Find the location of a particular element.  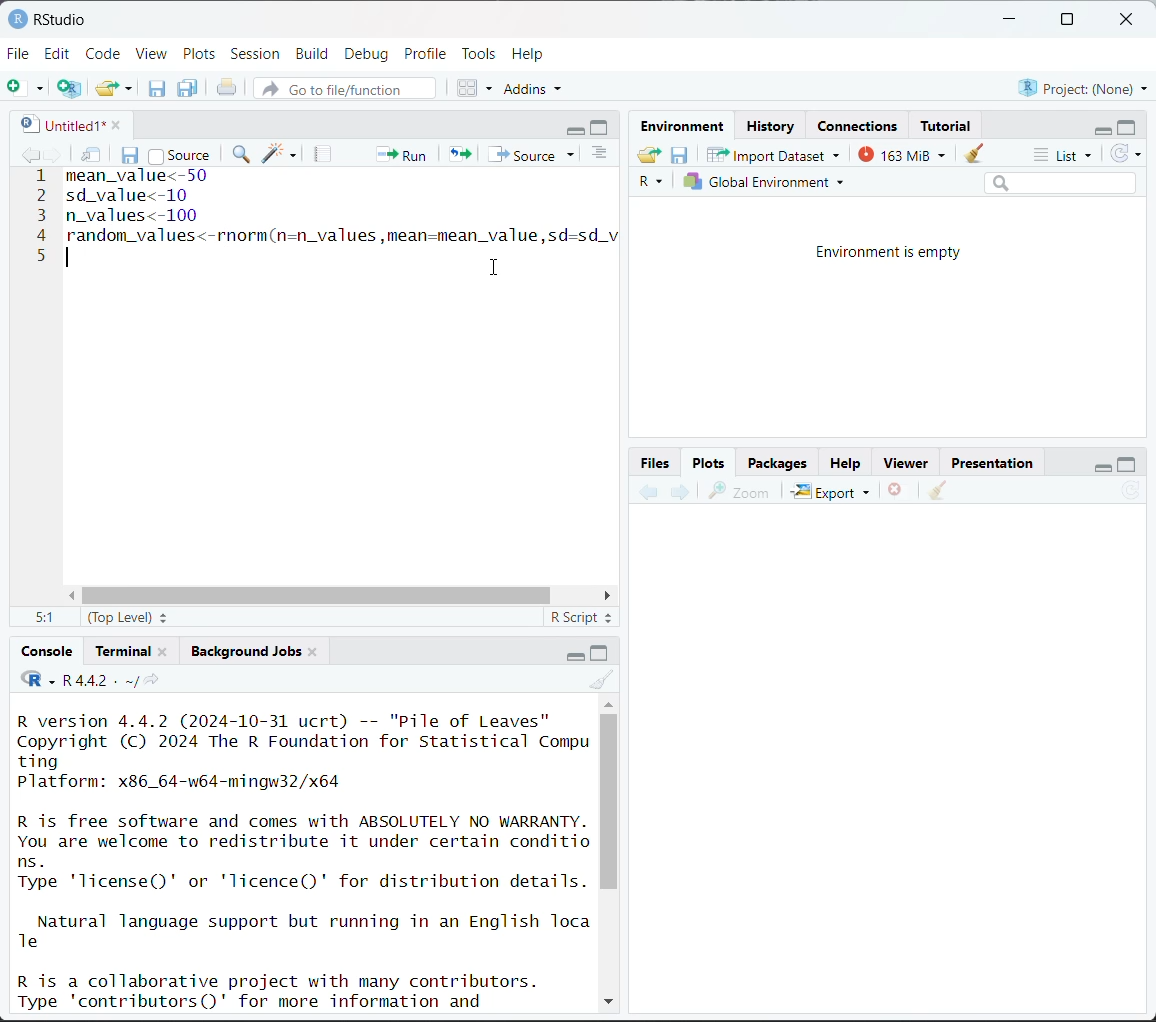

Presentation is located at coordinates (993, 464).